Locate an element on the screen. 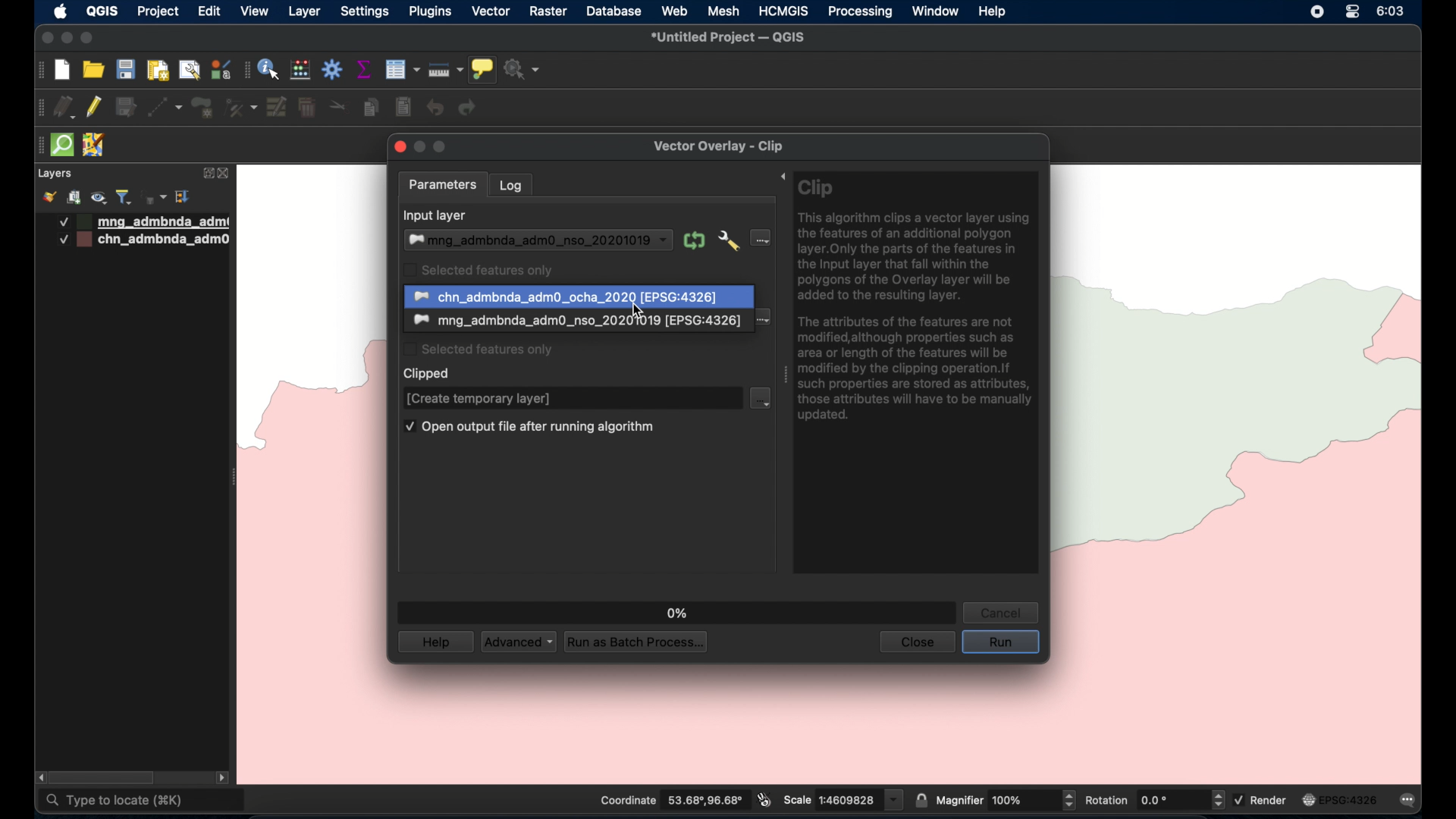 The image size is (1456, 819). open output file after running algorithm is located at coordinates (530, 428).